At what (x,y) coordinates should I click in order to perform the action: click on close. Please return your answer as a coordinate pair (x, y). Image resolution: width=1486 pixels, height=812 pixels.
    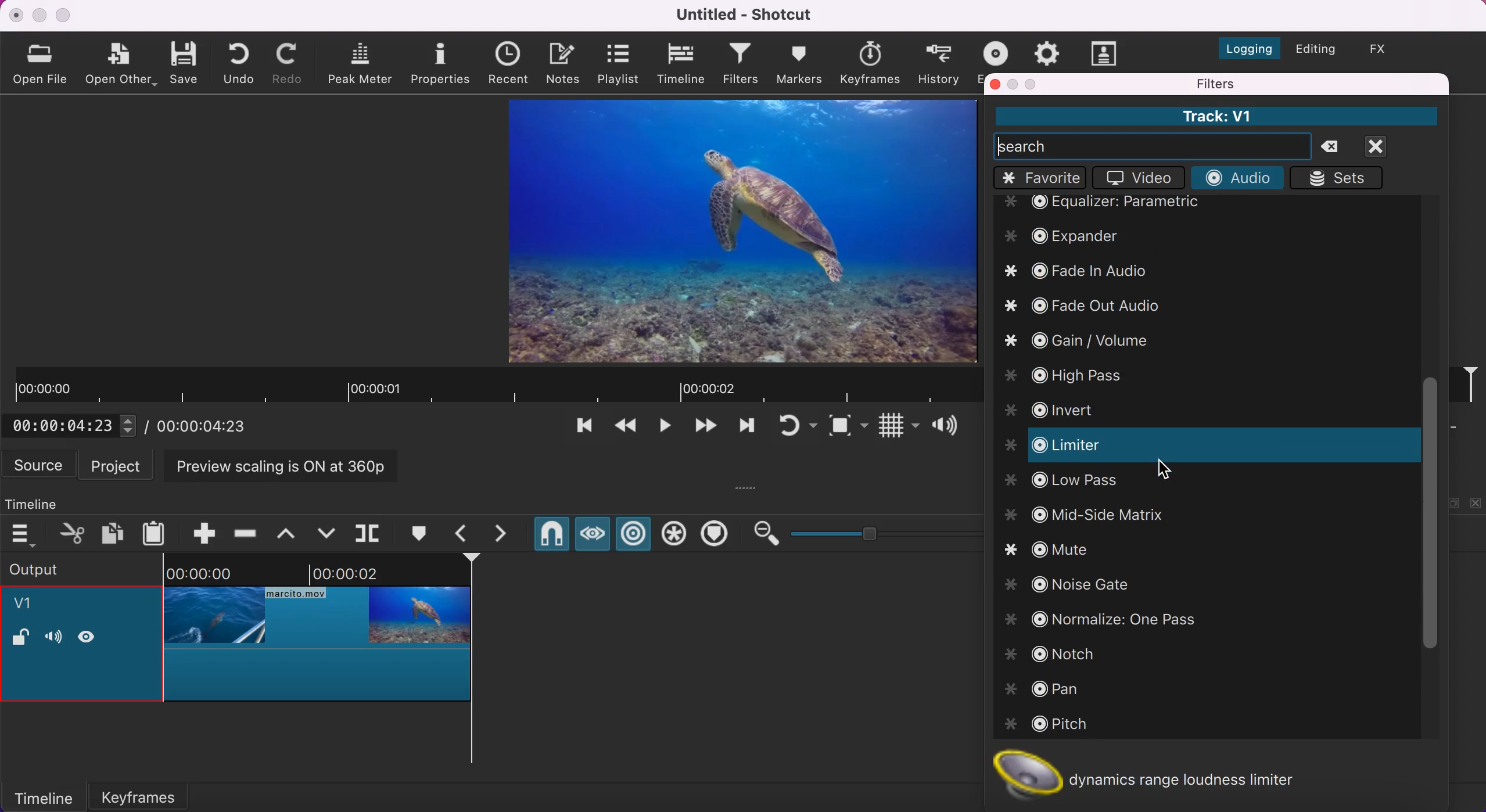
    Looking at the image, I should click on (996, 84).